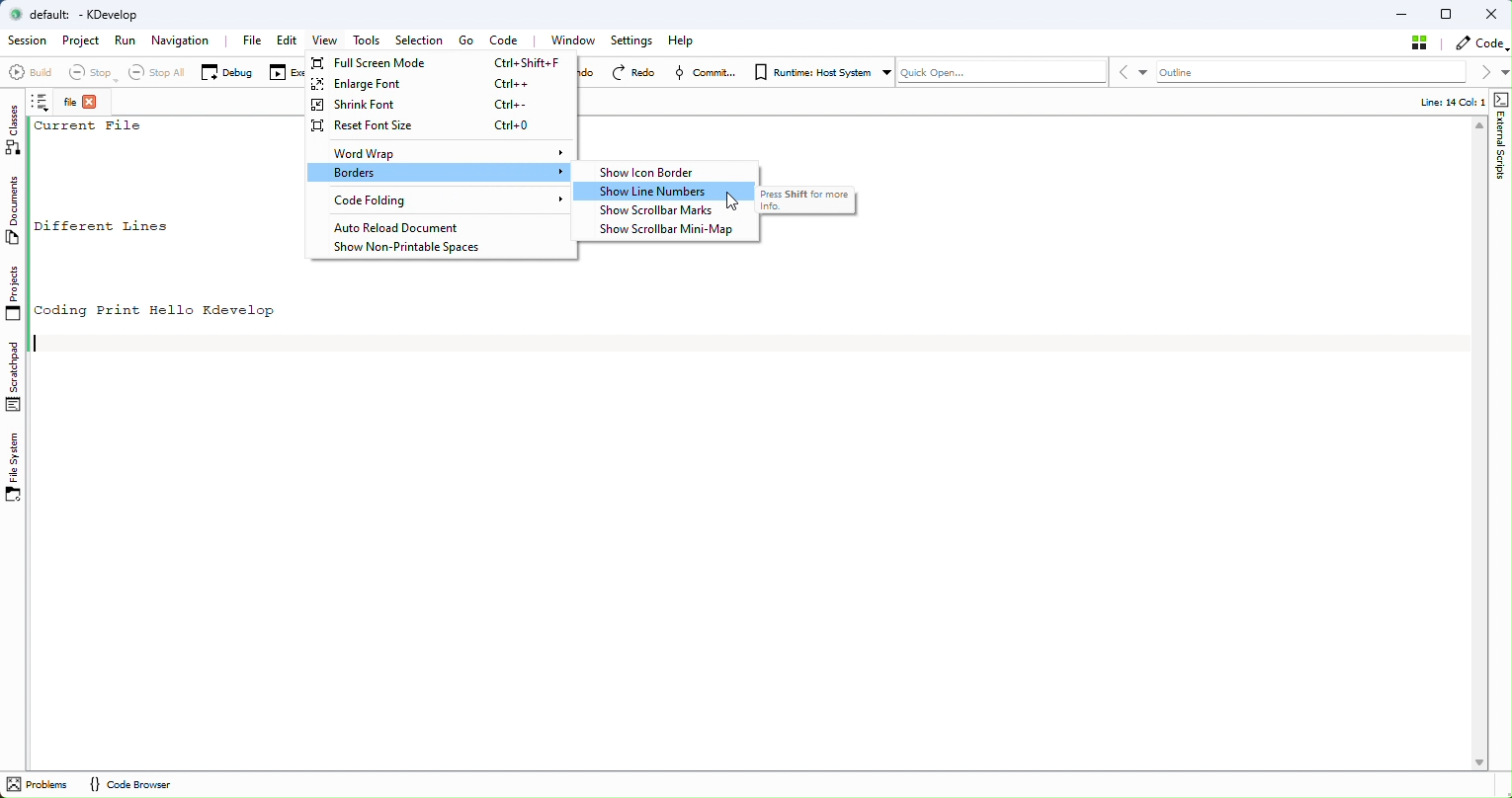 The height and width of the screenshot is (798, 1512). I want to click on Edit, so click(287, 41).